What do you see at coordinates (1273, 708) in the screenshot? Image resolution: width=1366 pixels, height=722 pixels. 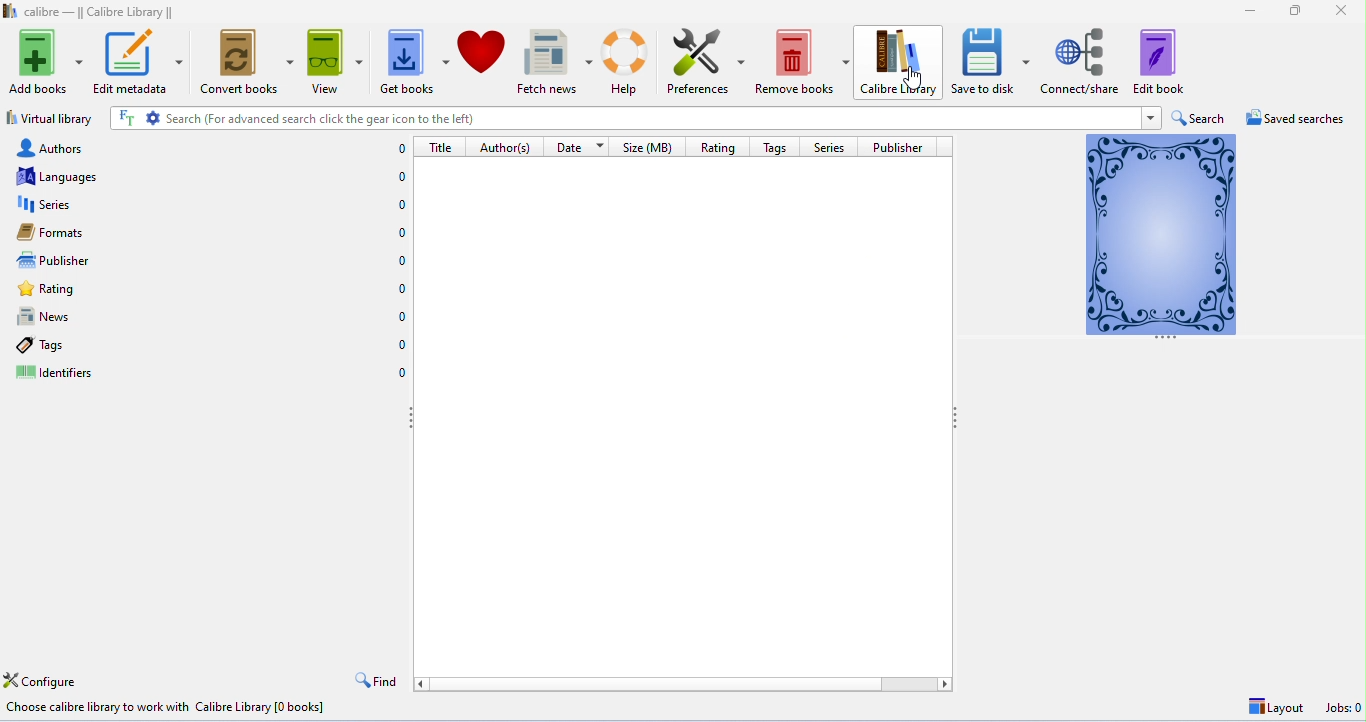 I see `layout` at bounding box center [1273, 708].